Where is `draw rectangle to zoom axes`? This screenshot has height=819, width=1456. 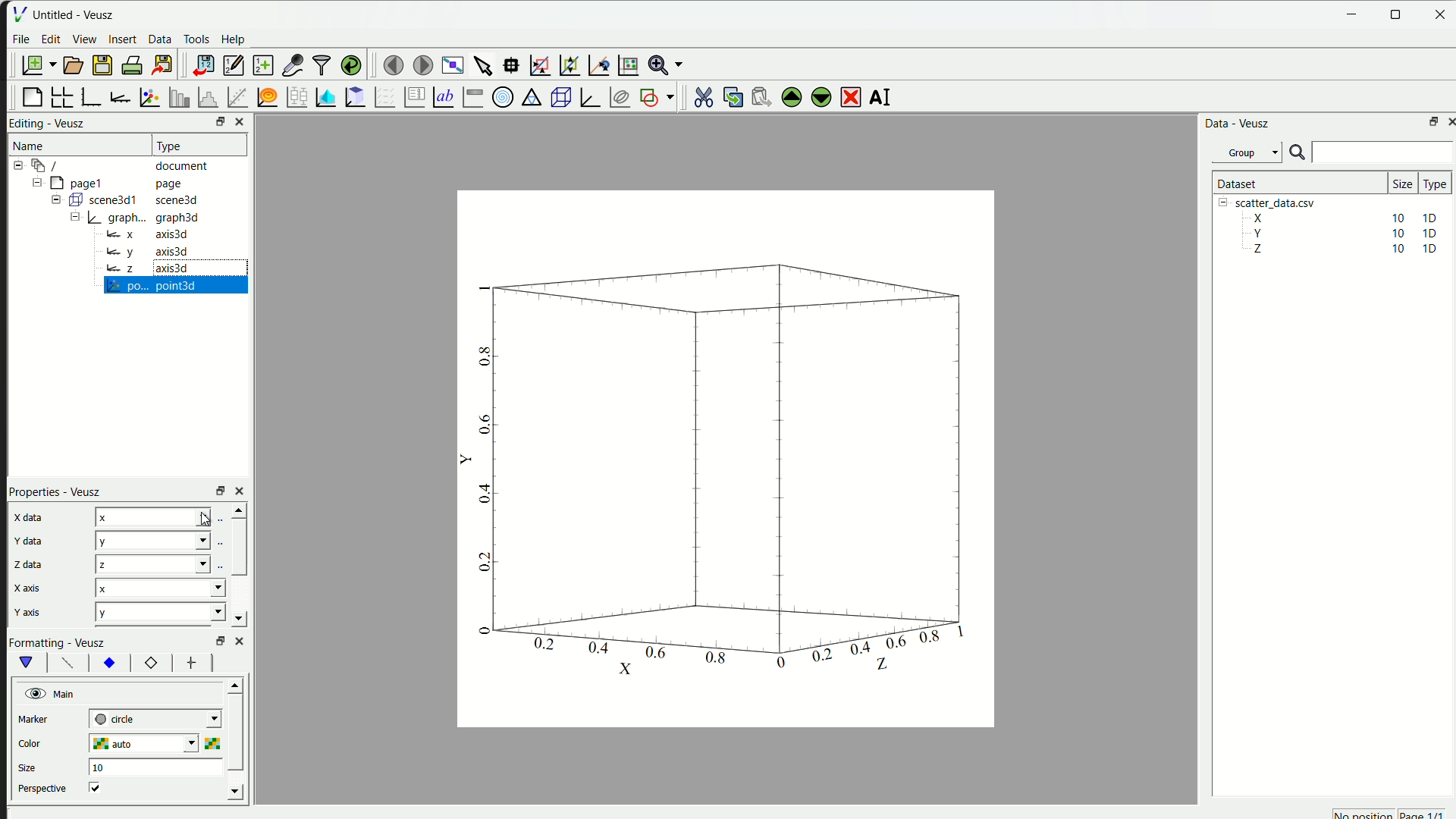
draw rectangle to zoom axes is located at coordinates (540, 63).